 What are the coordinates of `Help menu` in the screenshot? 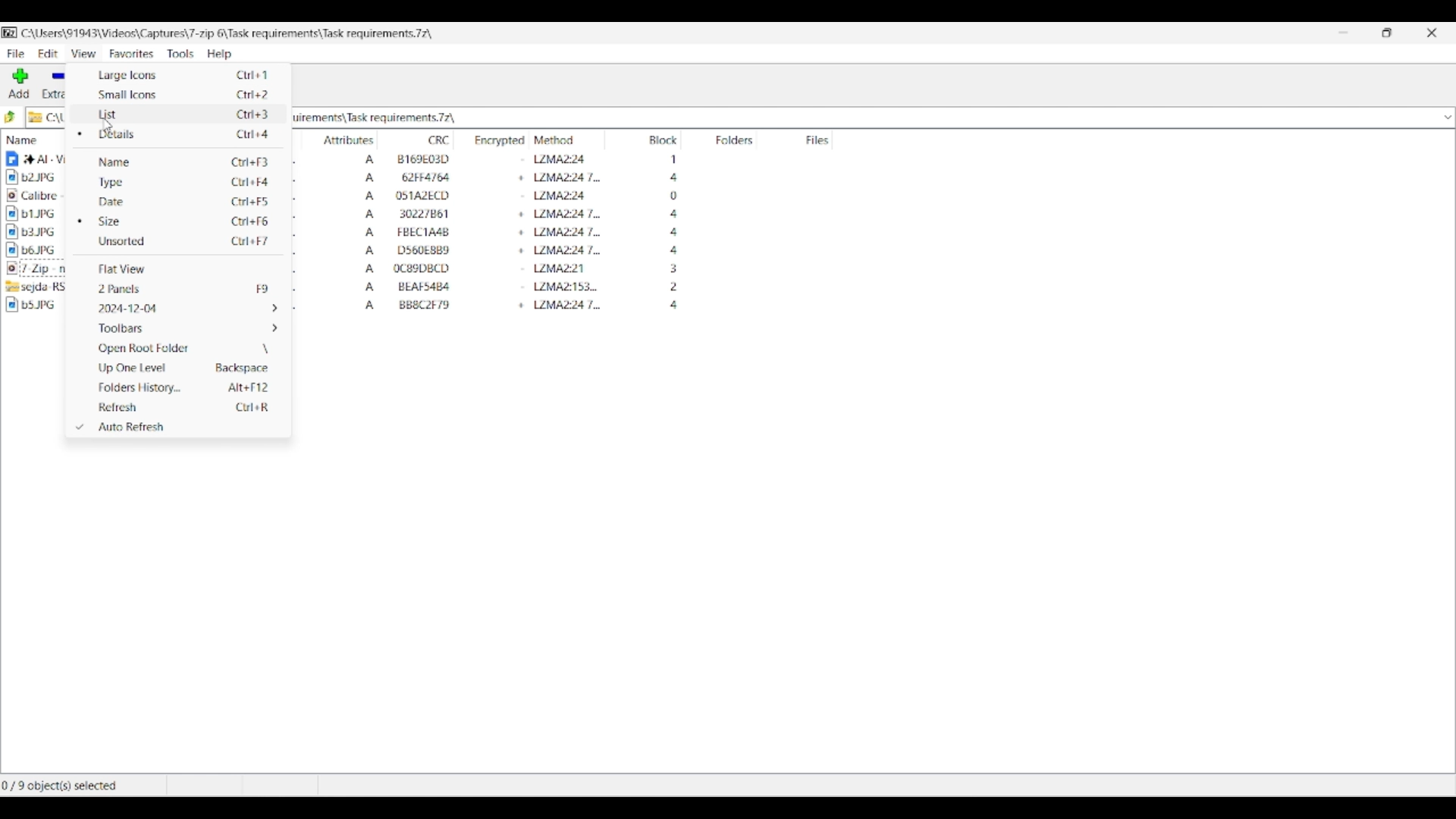 It's located at (220, 54).